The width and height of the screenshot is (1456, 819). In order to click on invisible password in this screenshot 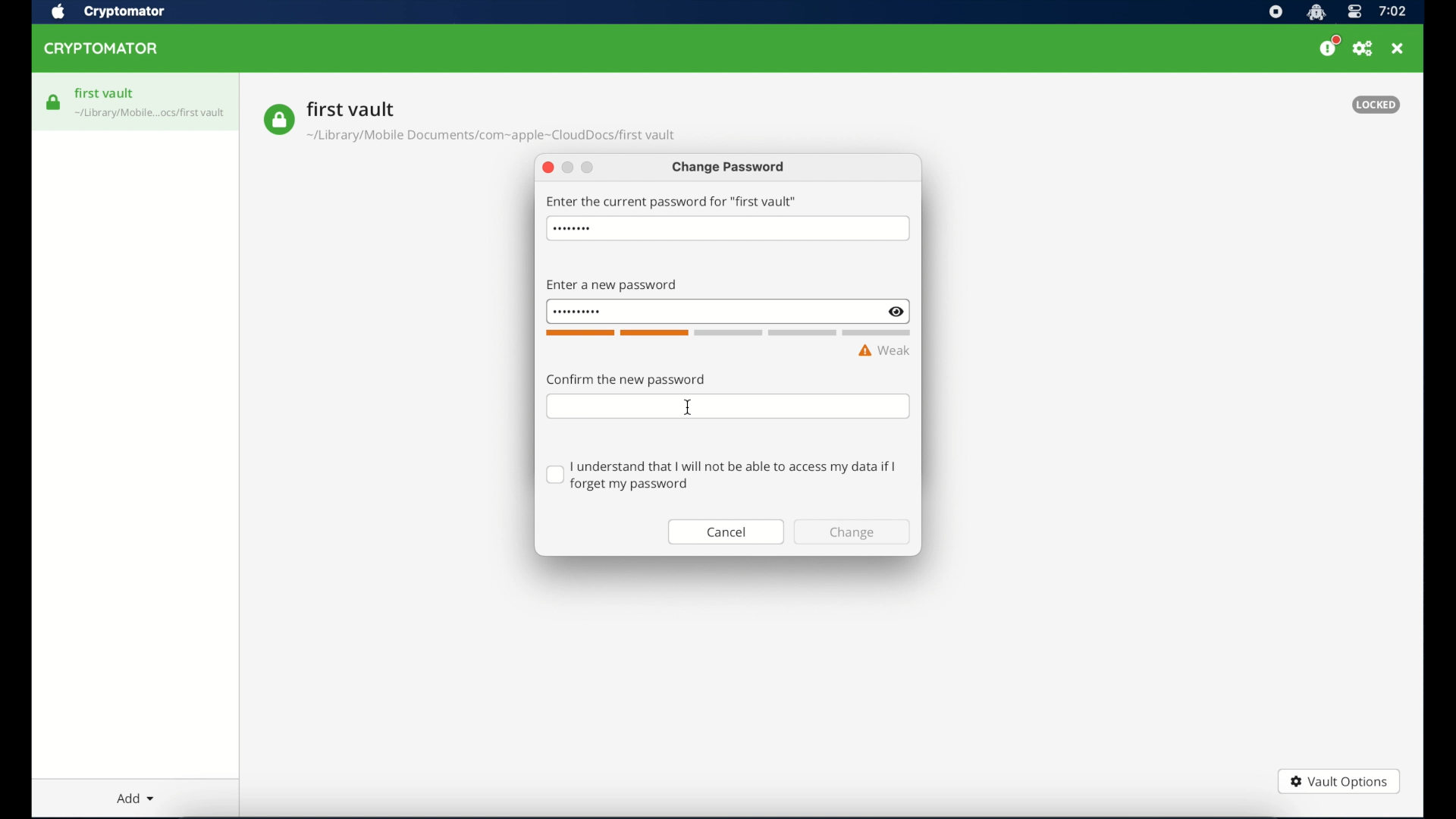, I will do `click(574, 312)`.